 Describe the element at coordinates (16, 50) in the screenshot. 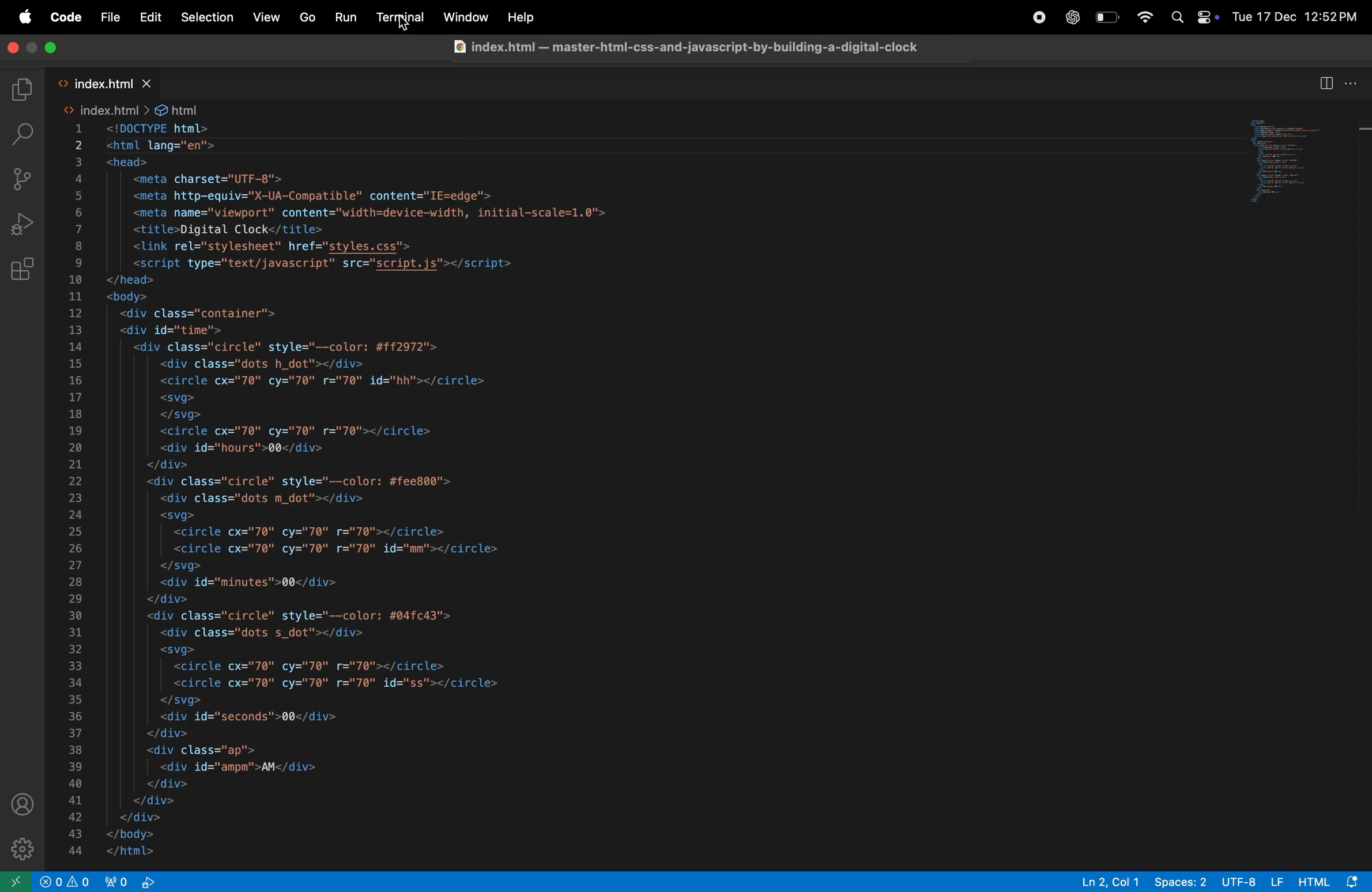

I see `close` at that location.